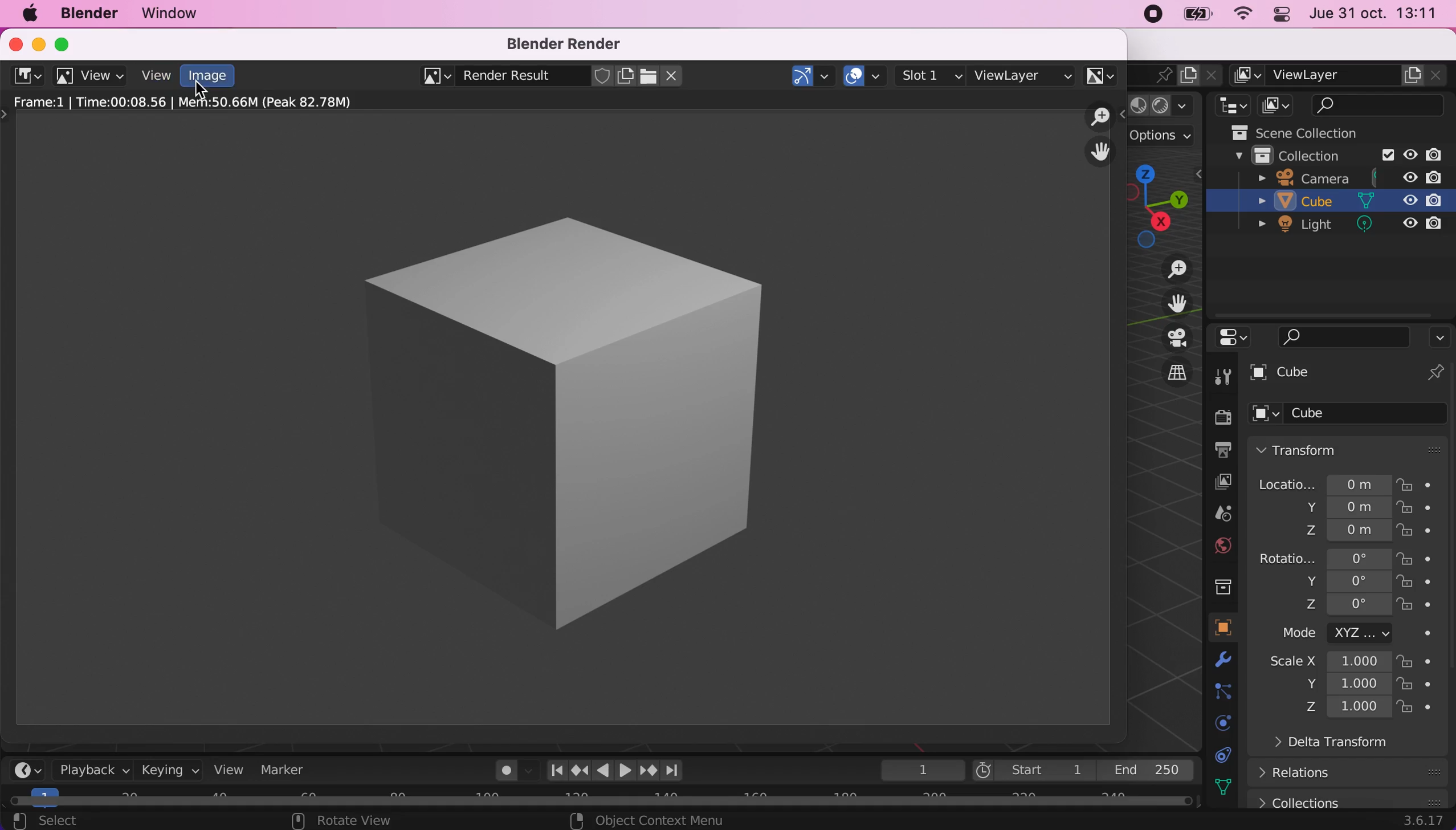  I want to click on close, so click(13, 43).